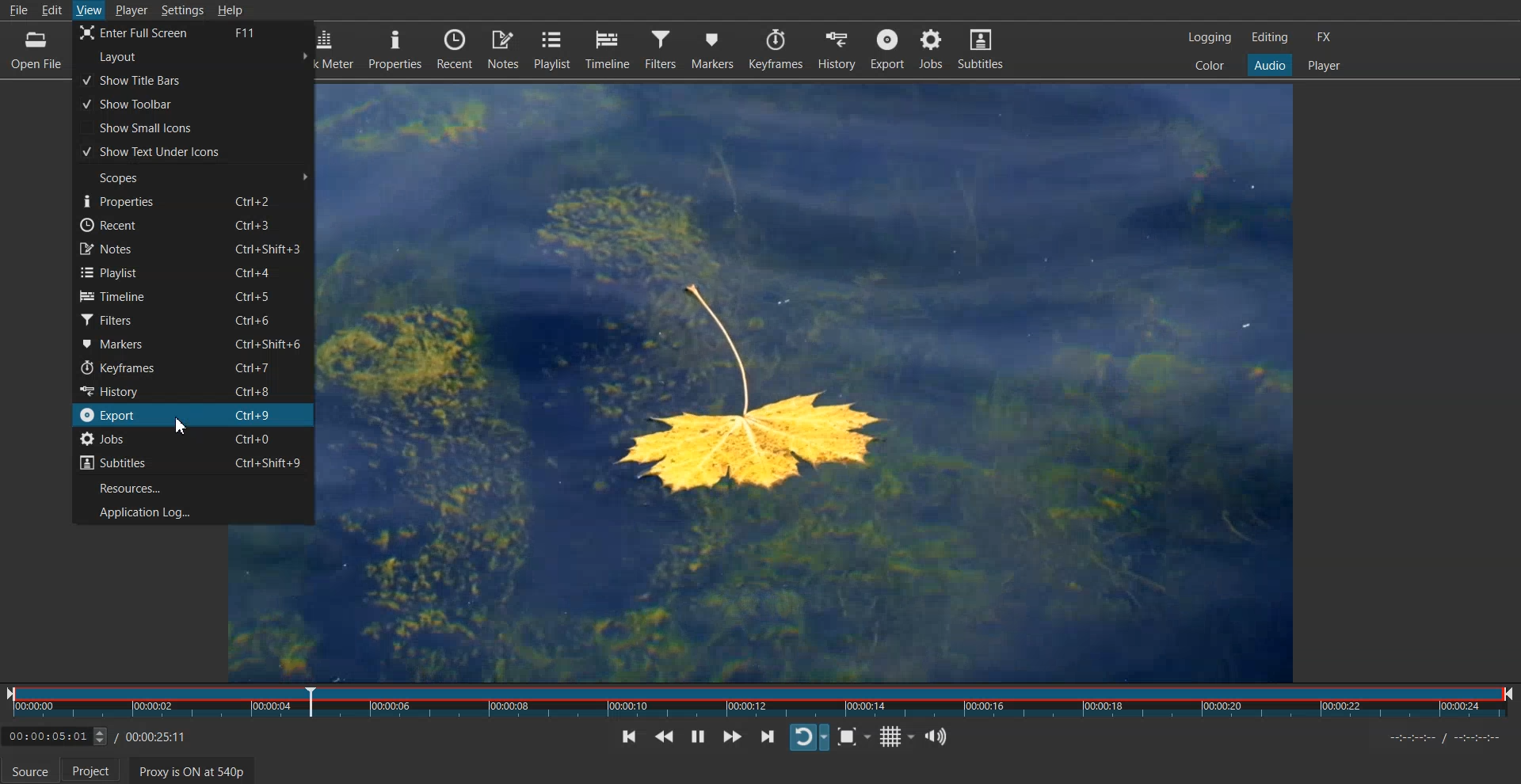 This screenshot has height=784, width=1521. What do you see at coordinates (1210, 37) in the screenshot?
I see `Logging` at bounding box center [1210, 37].